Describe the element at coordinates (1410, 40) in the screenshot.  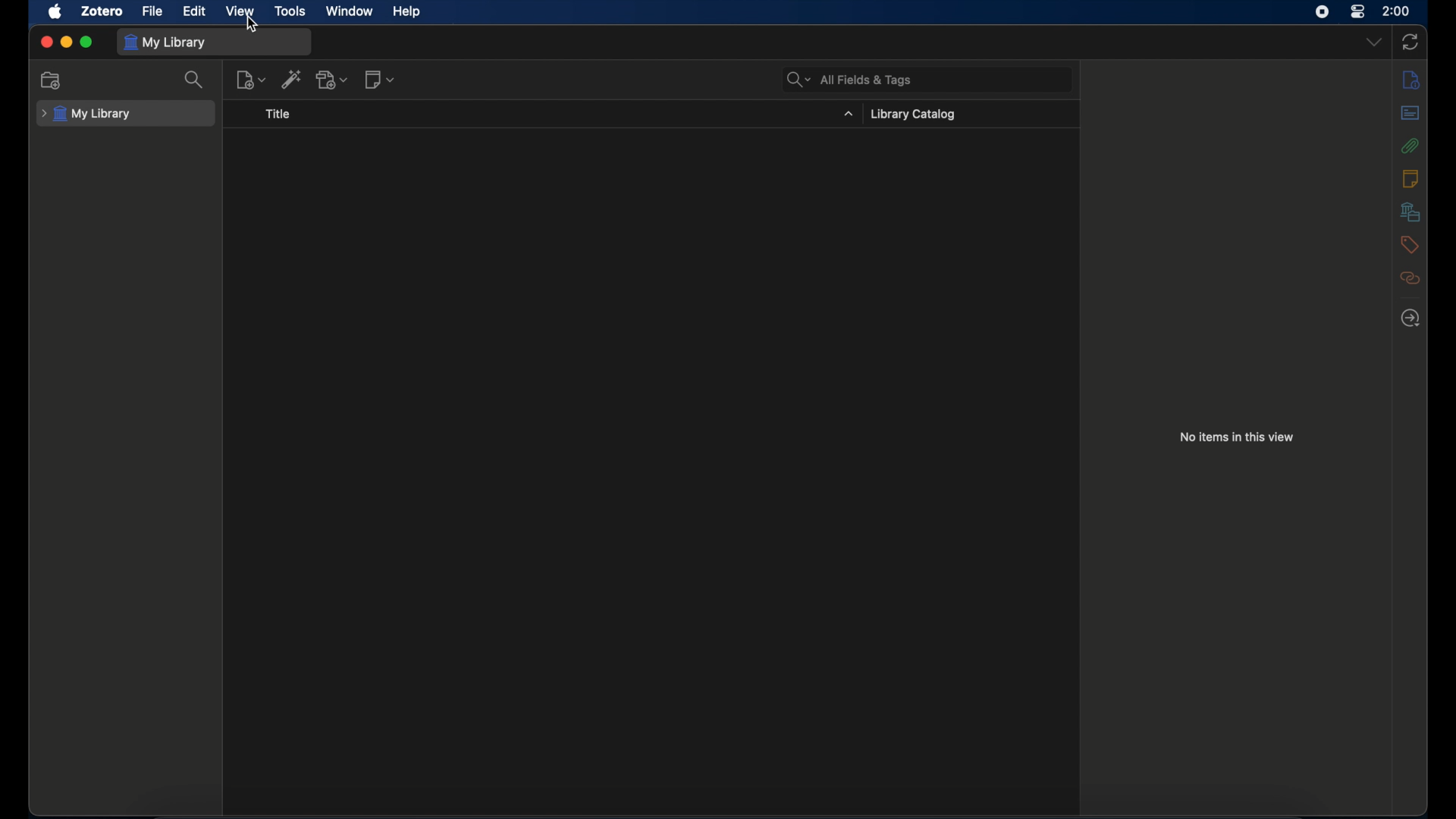
I see `sync` at that location.